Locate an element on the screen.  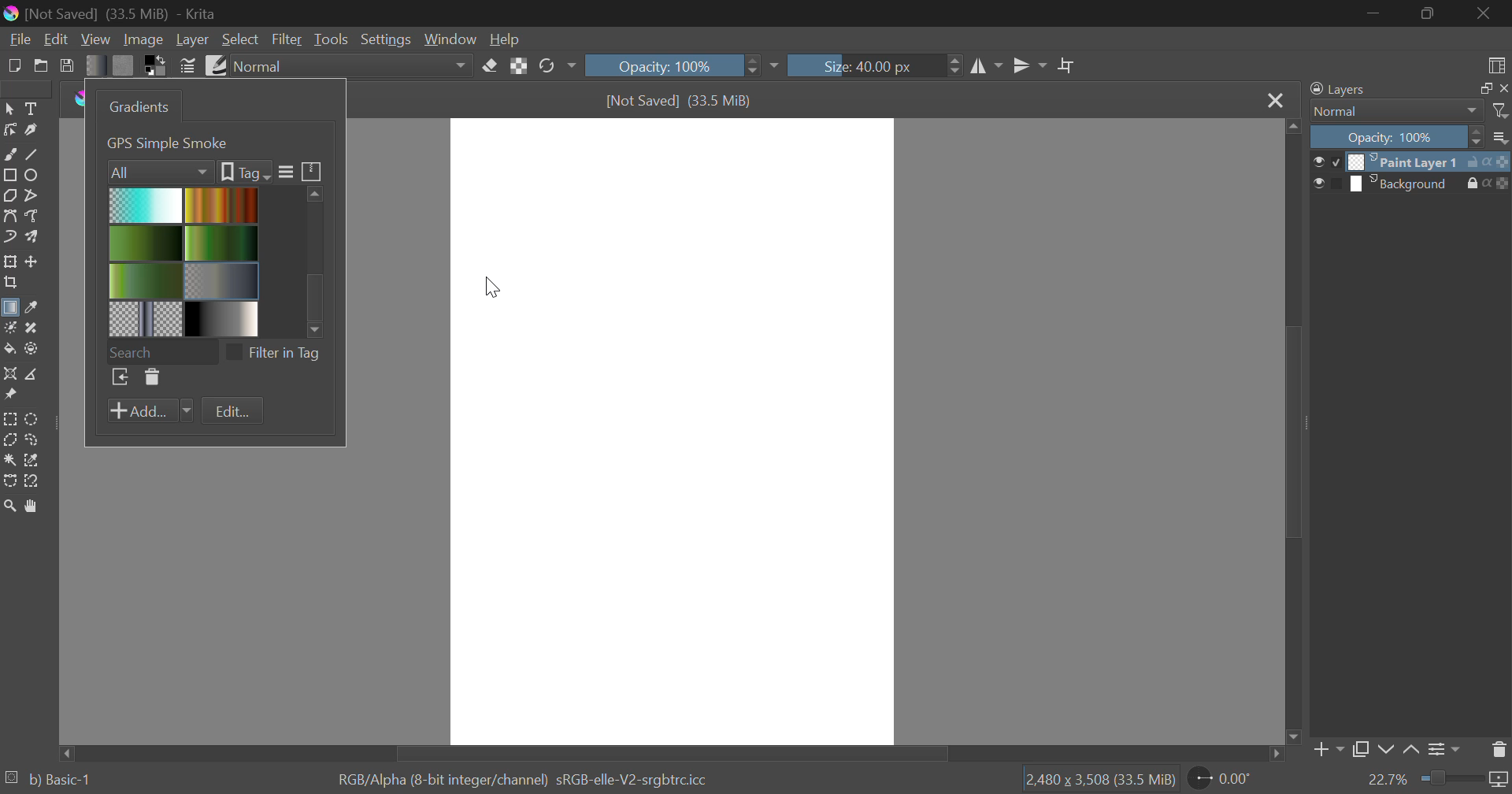
Storage Resources is located at coordinates (313, 170).